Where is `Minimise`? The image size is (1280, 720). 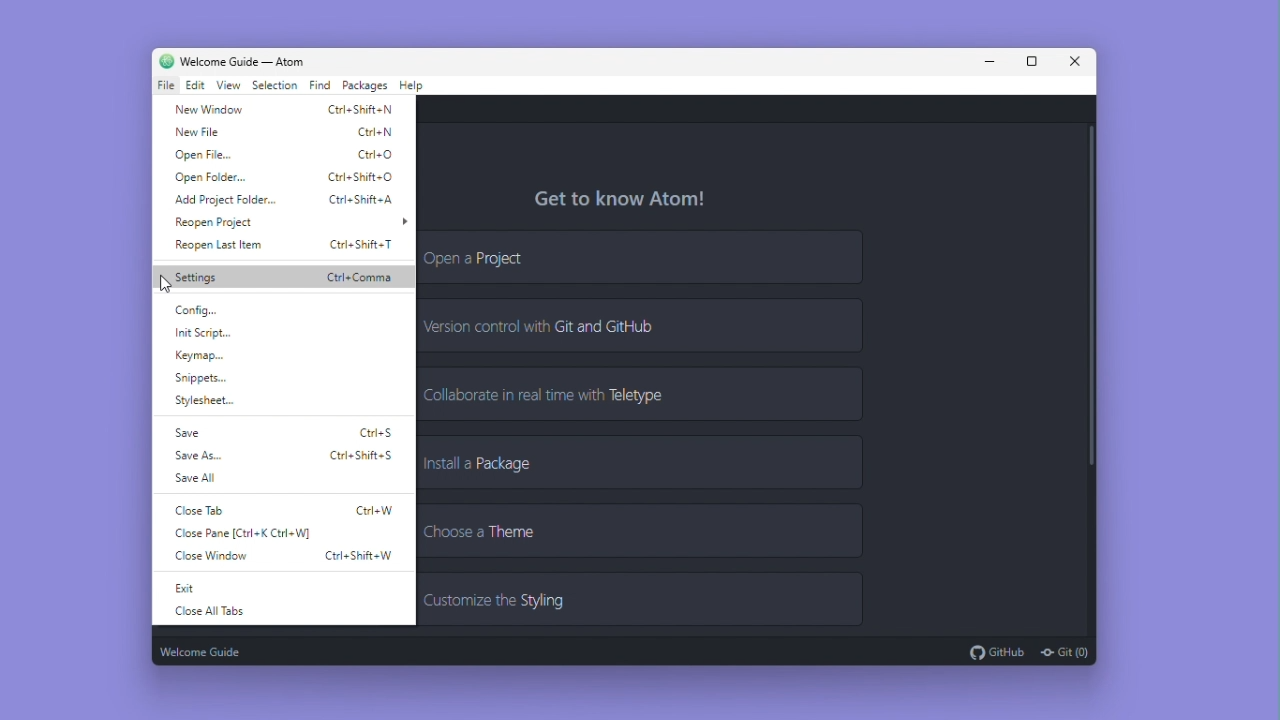
Minimise is located at coordinates (994, 61).